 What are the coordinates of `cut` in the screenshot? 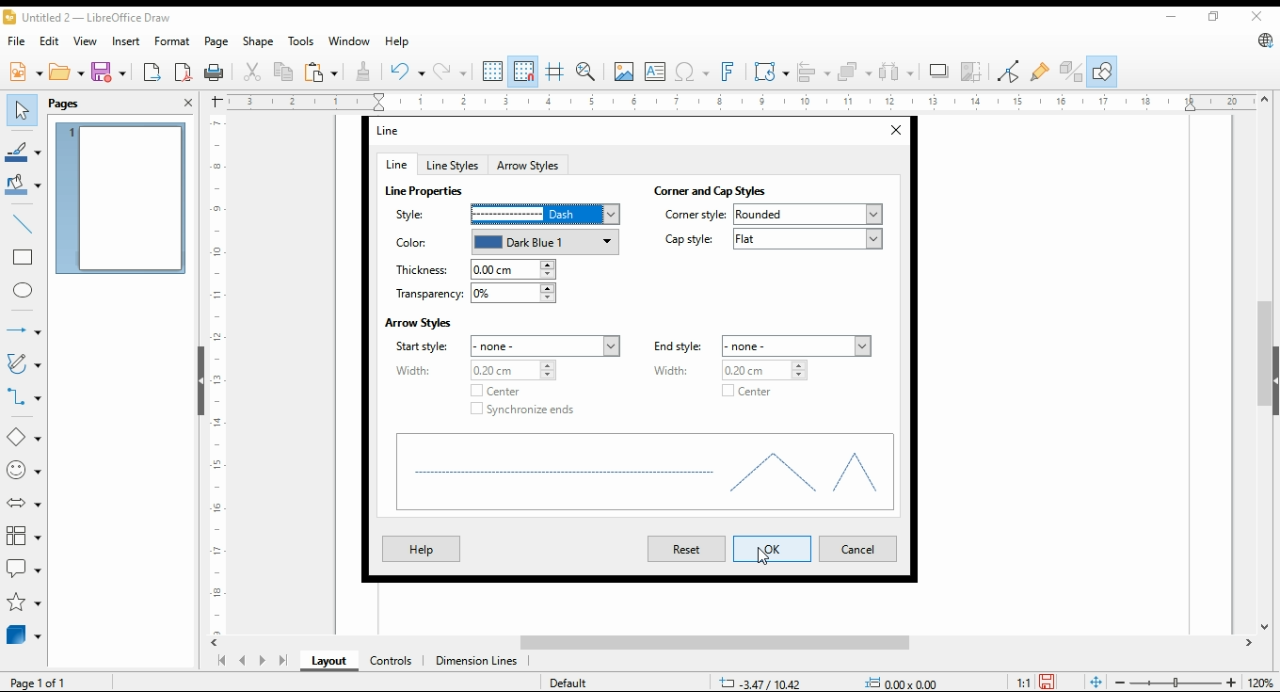 It's located at (250, 73).